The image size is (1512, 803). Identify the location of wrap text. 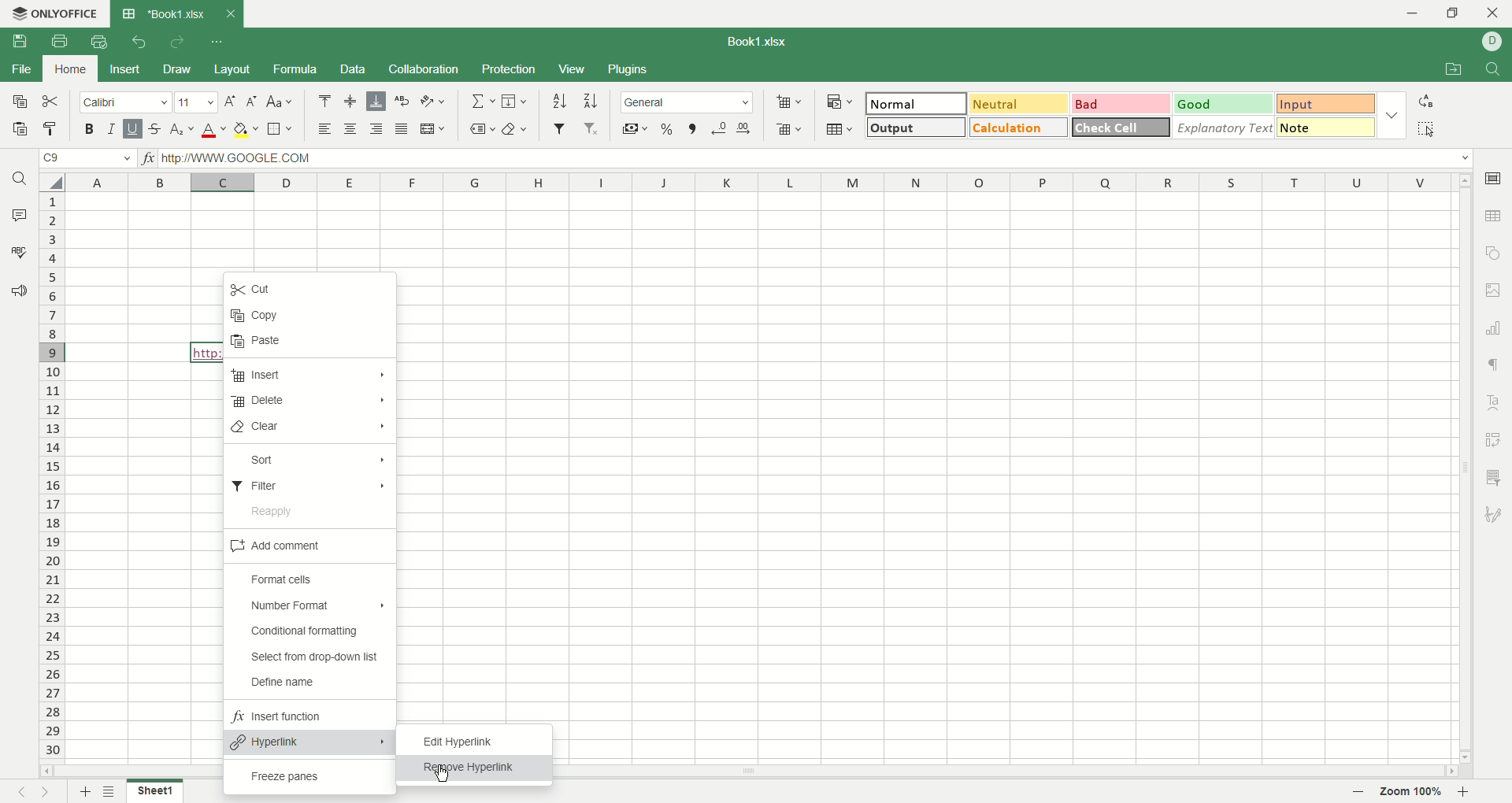
(402, 99).